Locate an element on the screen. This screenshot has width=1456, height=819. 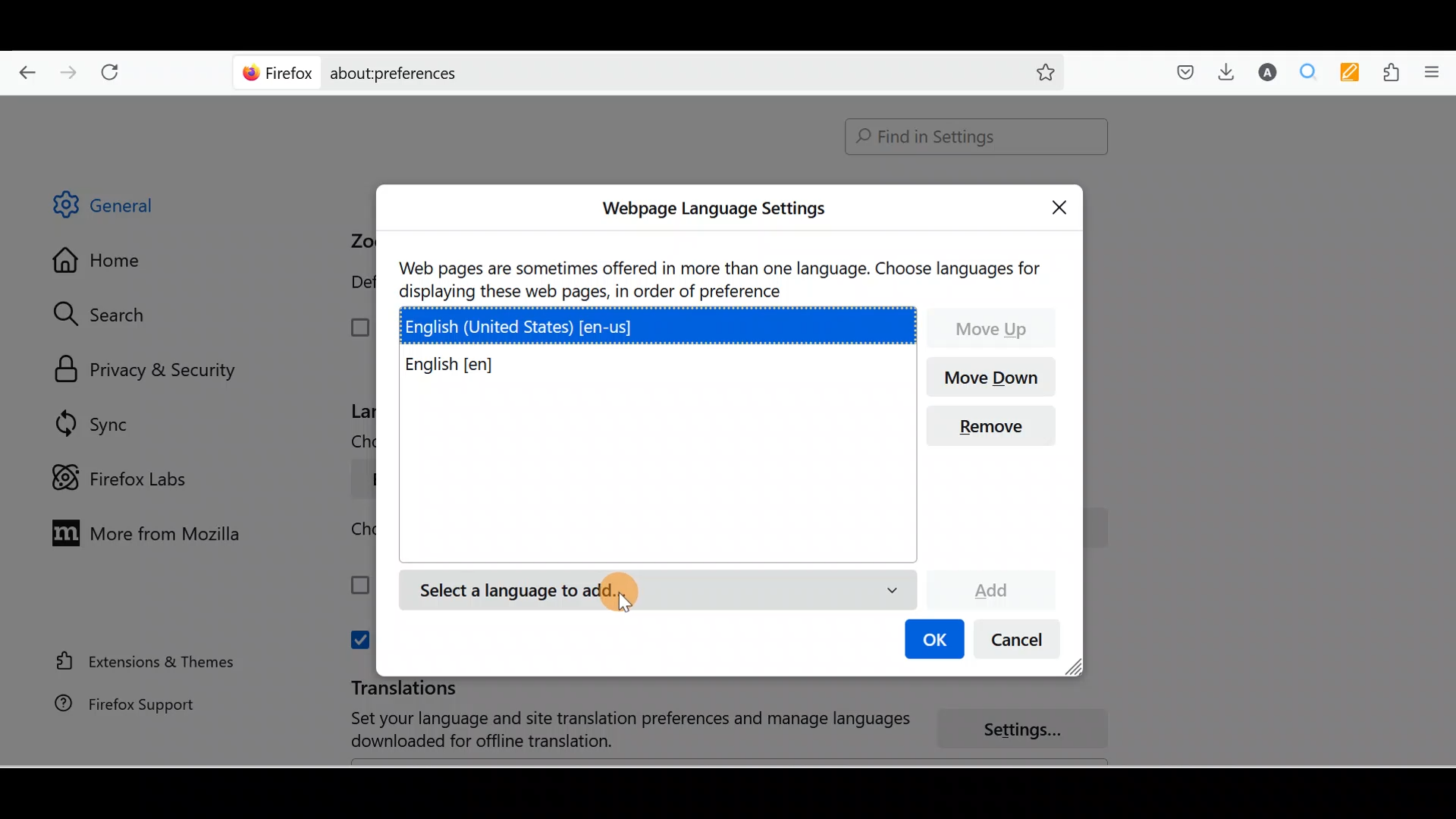
Webpage Language settings is located at coordinates (711, 209).